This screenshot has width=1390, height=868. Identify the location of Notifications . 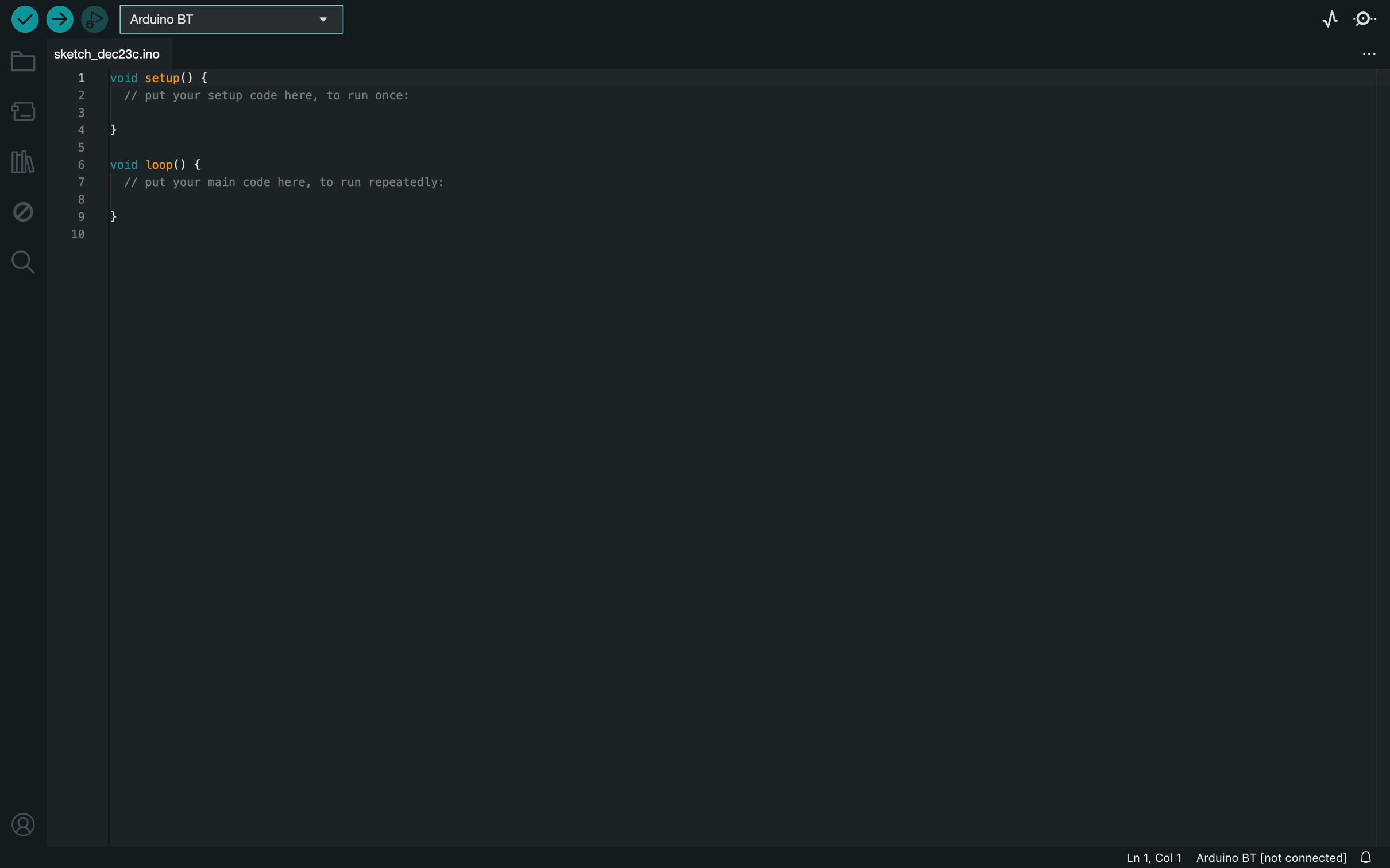
(1370, 854).